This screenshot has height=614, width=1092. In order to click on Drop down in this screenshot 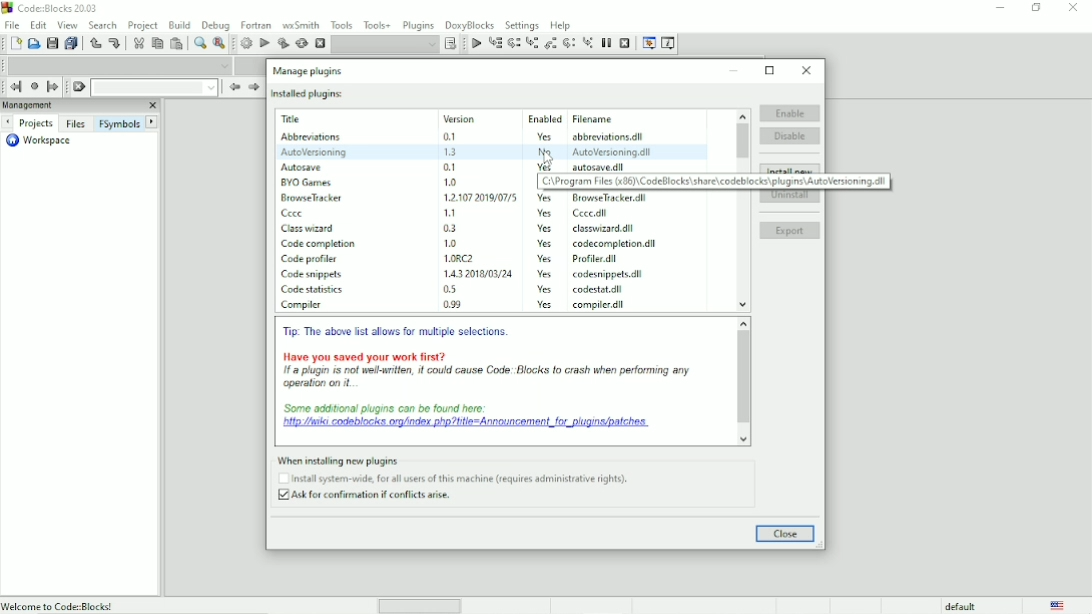, I will do `click(117, 65)`.